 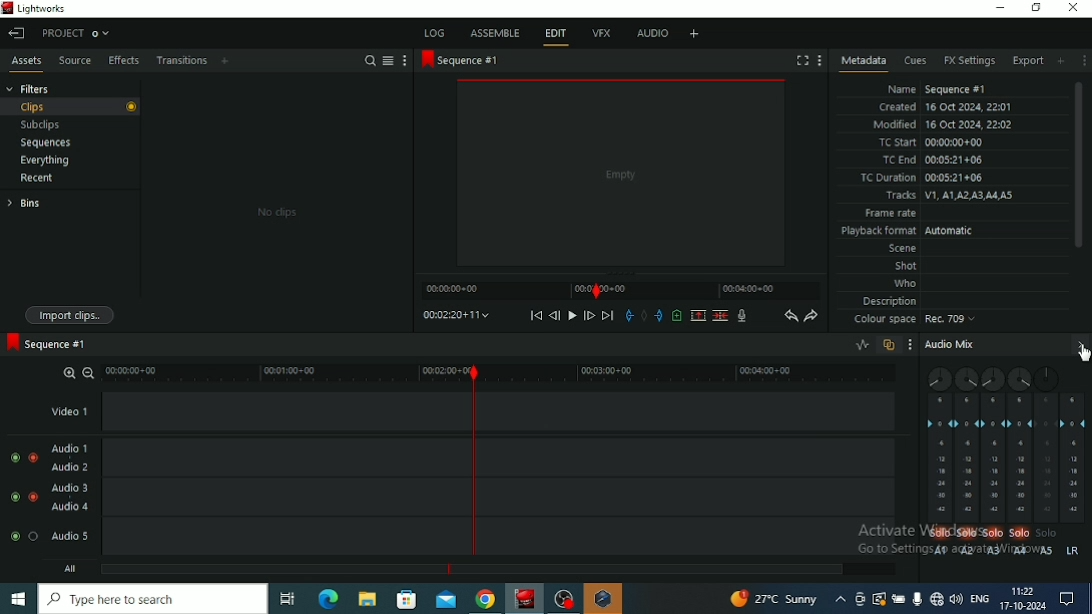 What do you see at coordinates (181, 61) in the screenshot?
I see `Transitions` at bounding box center [181, 61].